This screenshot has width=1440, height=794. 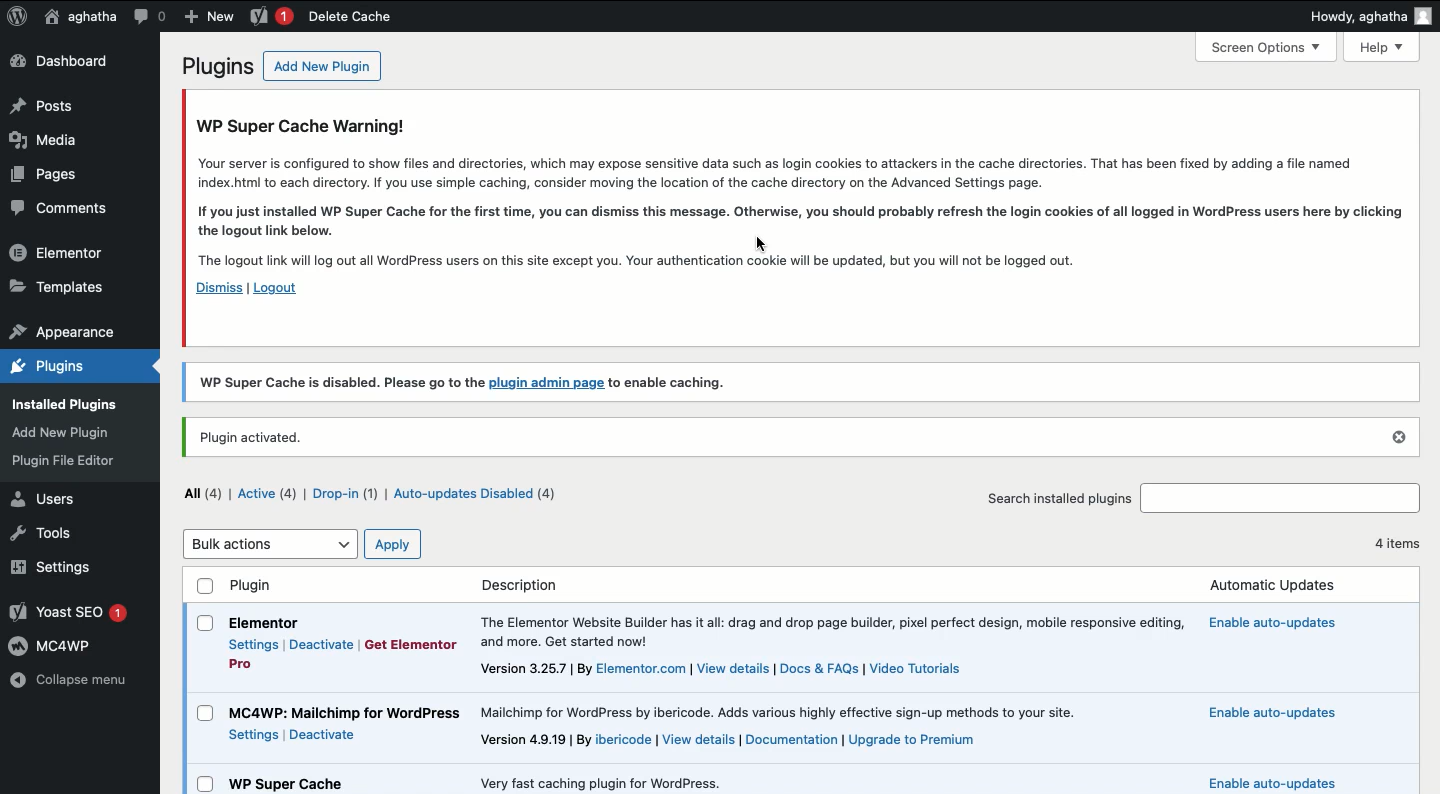 What do you see at coordinates (834, 642) in the screenshot?
I see `‘The Elementor Website Builder has it all: drag and drop page builder, pixel perfect design, mobile responsive editing,
and more. Get started now!
Version 3.26.7 | By Elementor.com | View details | Docs & FAQs | Video Tutorials` at bounding box center [834, 642].